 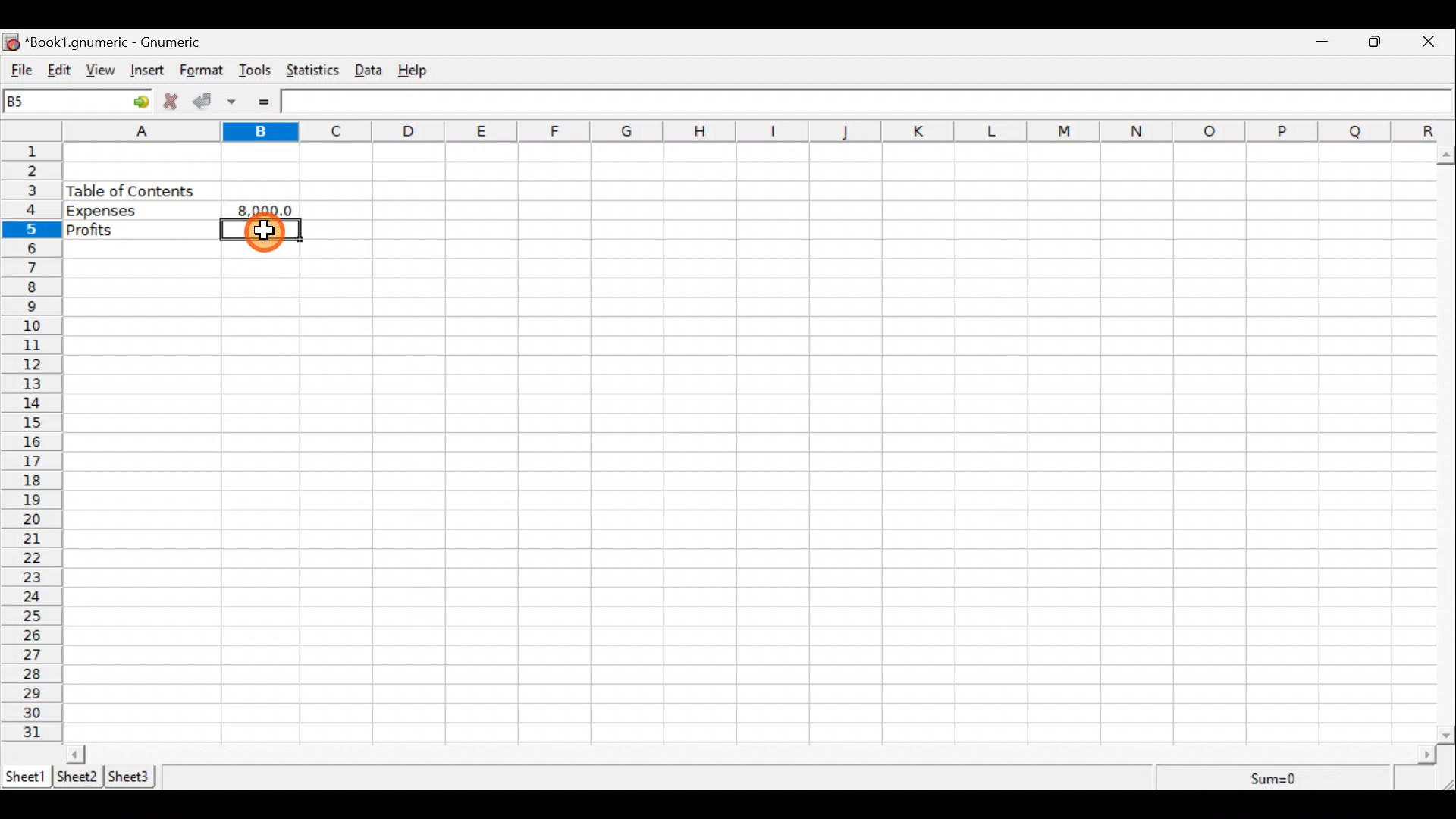 What do you see at coordinates (59, 71) in the screenshot?
I see `Edit` at bounding box center [59, 71].